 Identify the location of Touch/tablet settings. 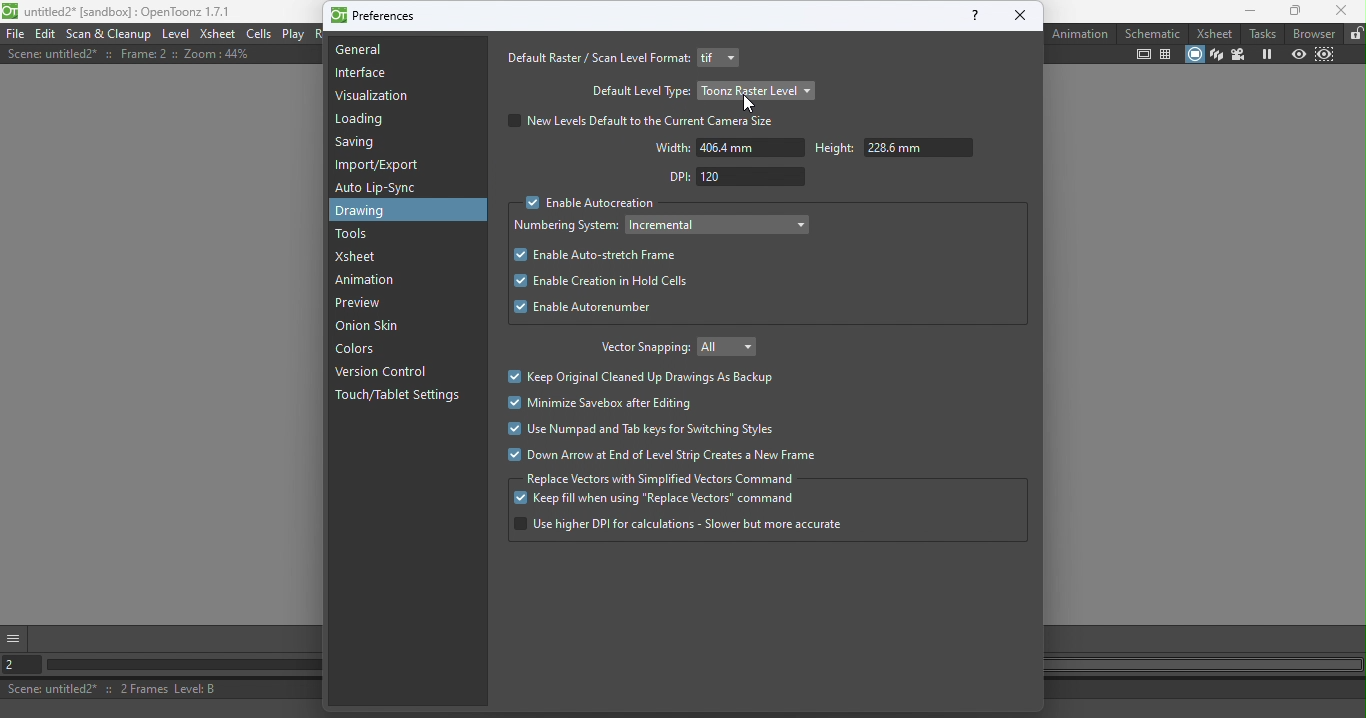
(403, 396).